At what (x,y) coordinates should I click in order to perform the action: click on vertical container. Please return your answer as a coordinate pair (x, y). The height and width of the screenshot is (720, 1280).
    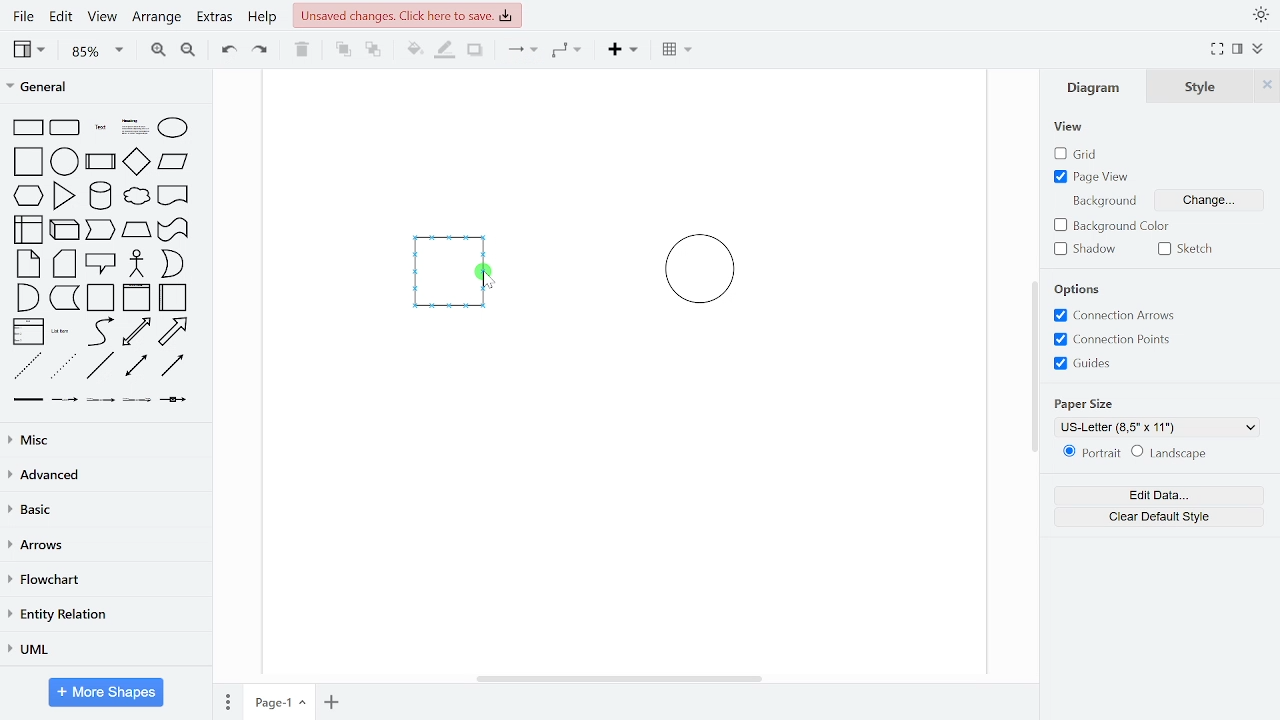
    Looking at the image, I should click on (136, 298).